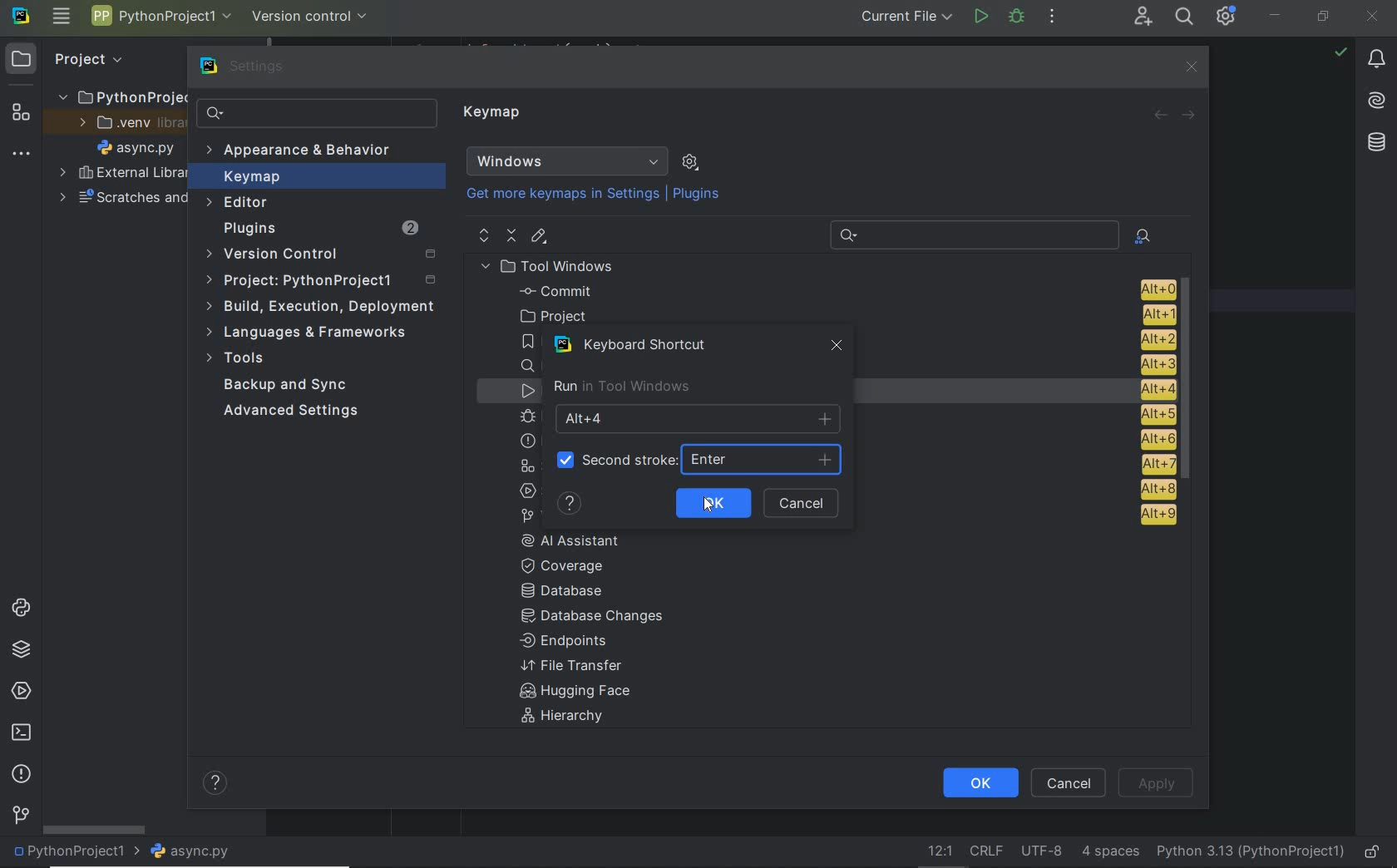 Image resolution: width=1397 pixels, height=868 pixels. What do you see at coordinates (571, 718) in the screenshot?
I see `Hierarchy` at bounding box center [571, 718].